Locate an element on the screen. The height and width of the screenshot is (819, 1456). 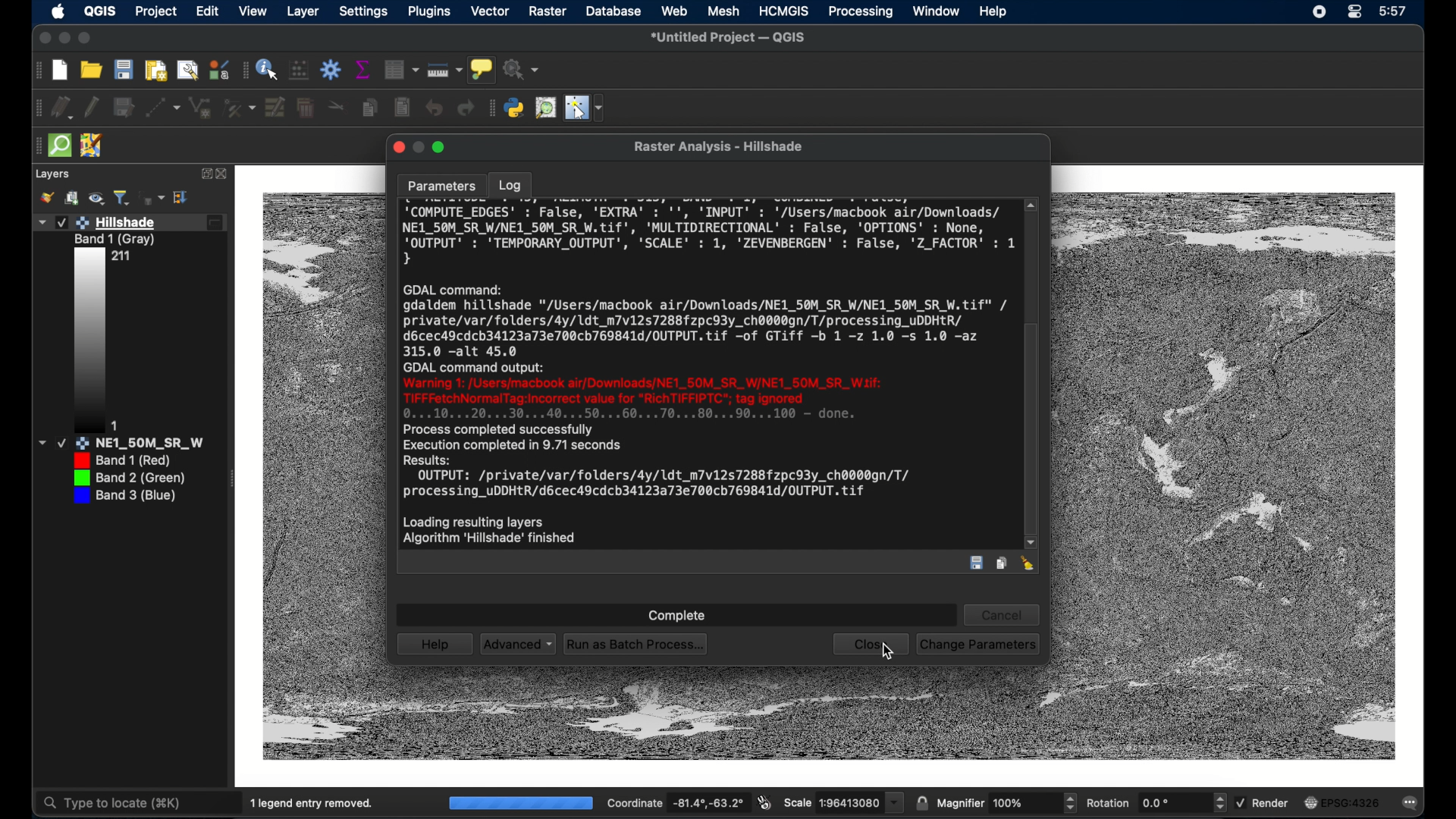
settings is located at coordinates (363, 11).